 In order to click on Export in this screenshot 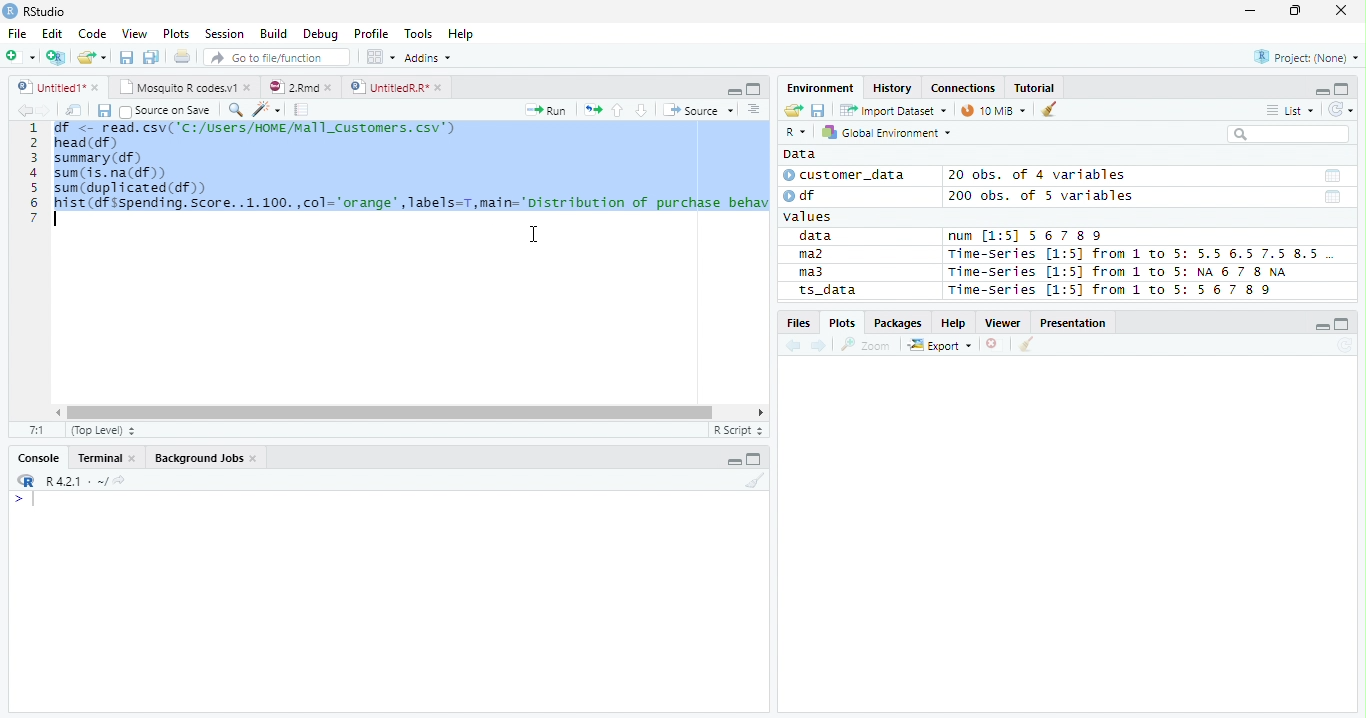, I will do `click(940, 346)`.